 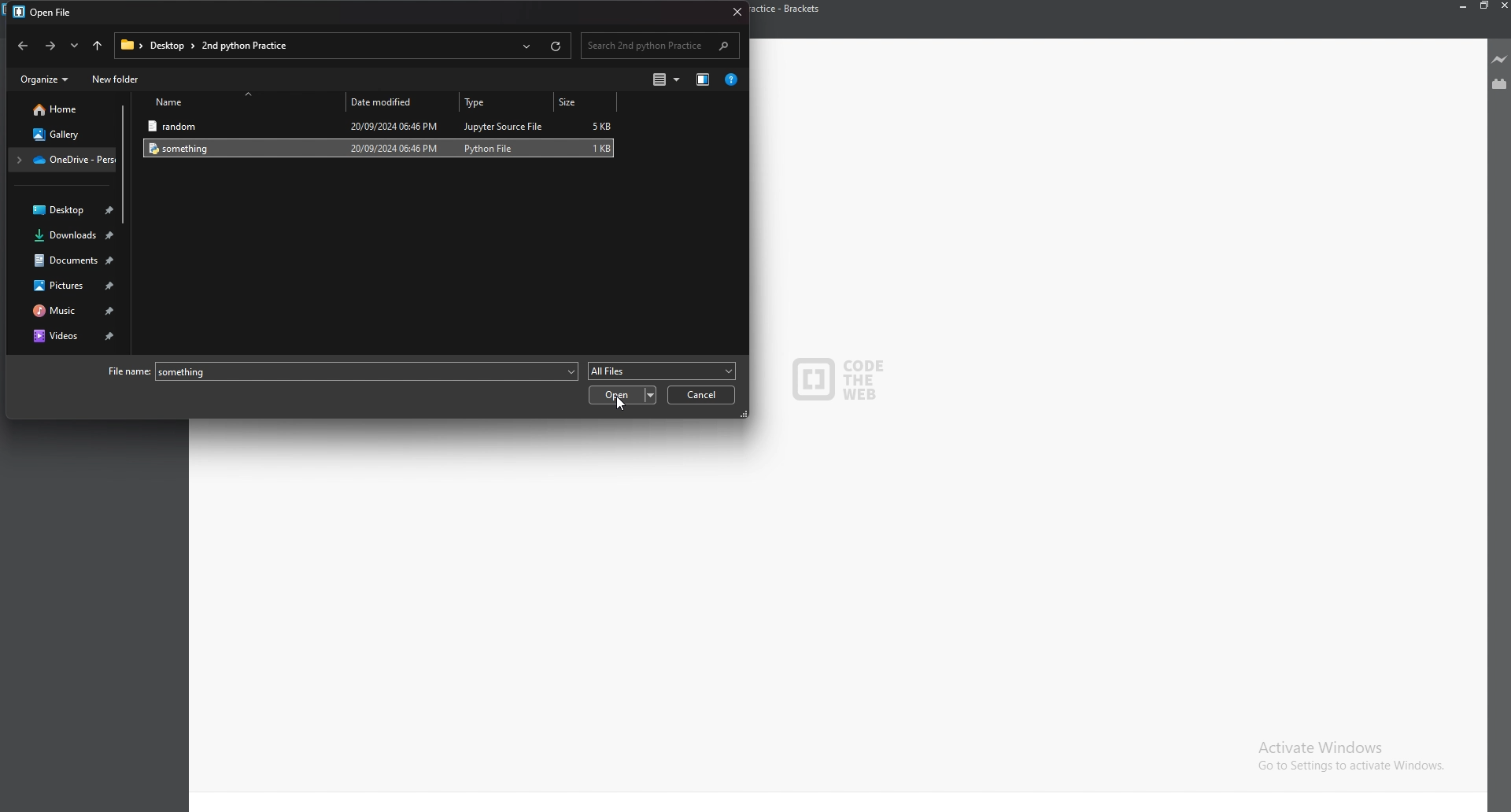 I want to click on open, so click(x=623, y=395).